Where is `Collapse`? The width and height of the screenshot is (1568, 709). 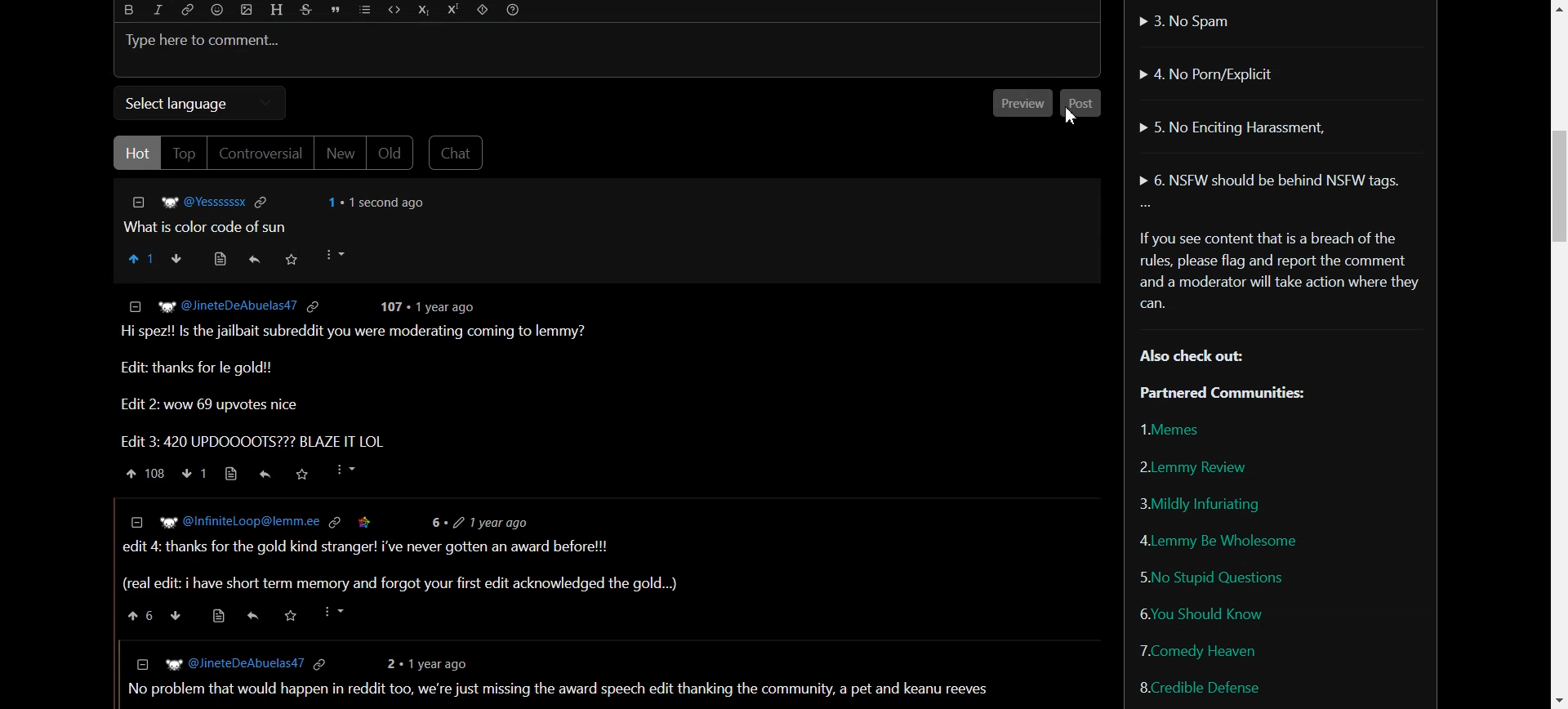 Collapse is located at coordinates (138, 202).